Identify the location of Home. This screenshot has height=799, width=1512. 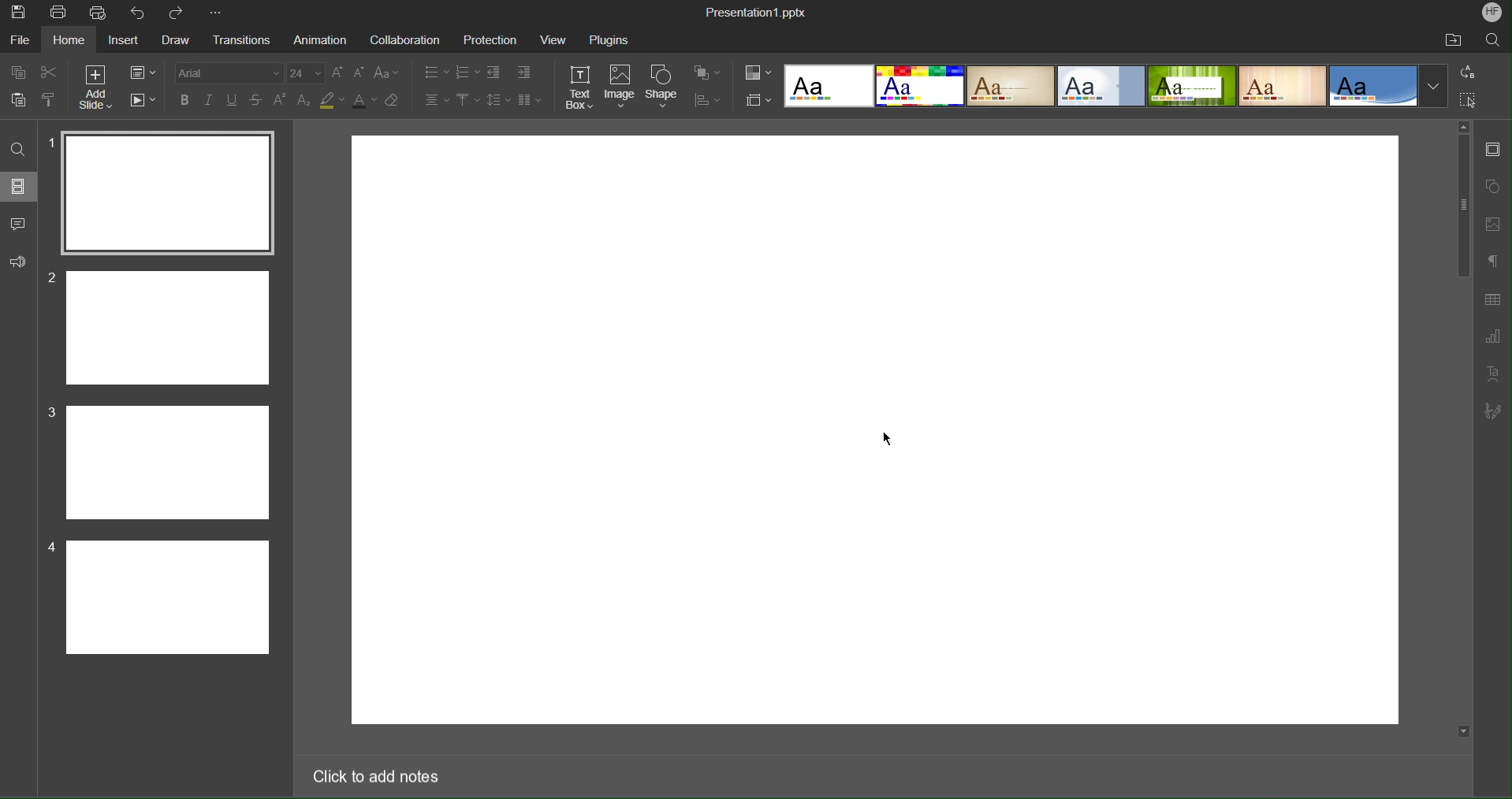
(71, 40).